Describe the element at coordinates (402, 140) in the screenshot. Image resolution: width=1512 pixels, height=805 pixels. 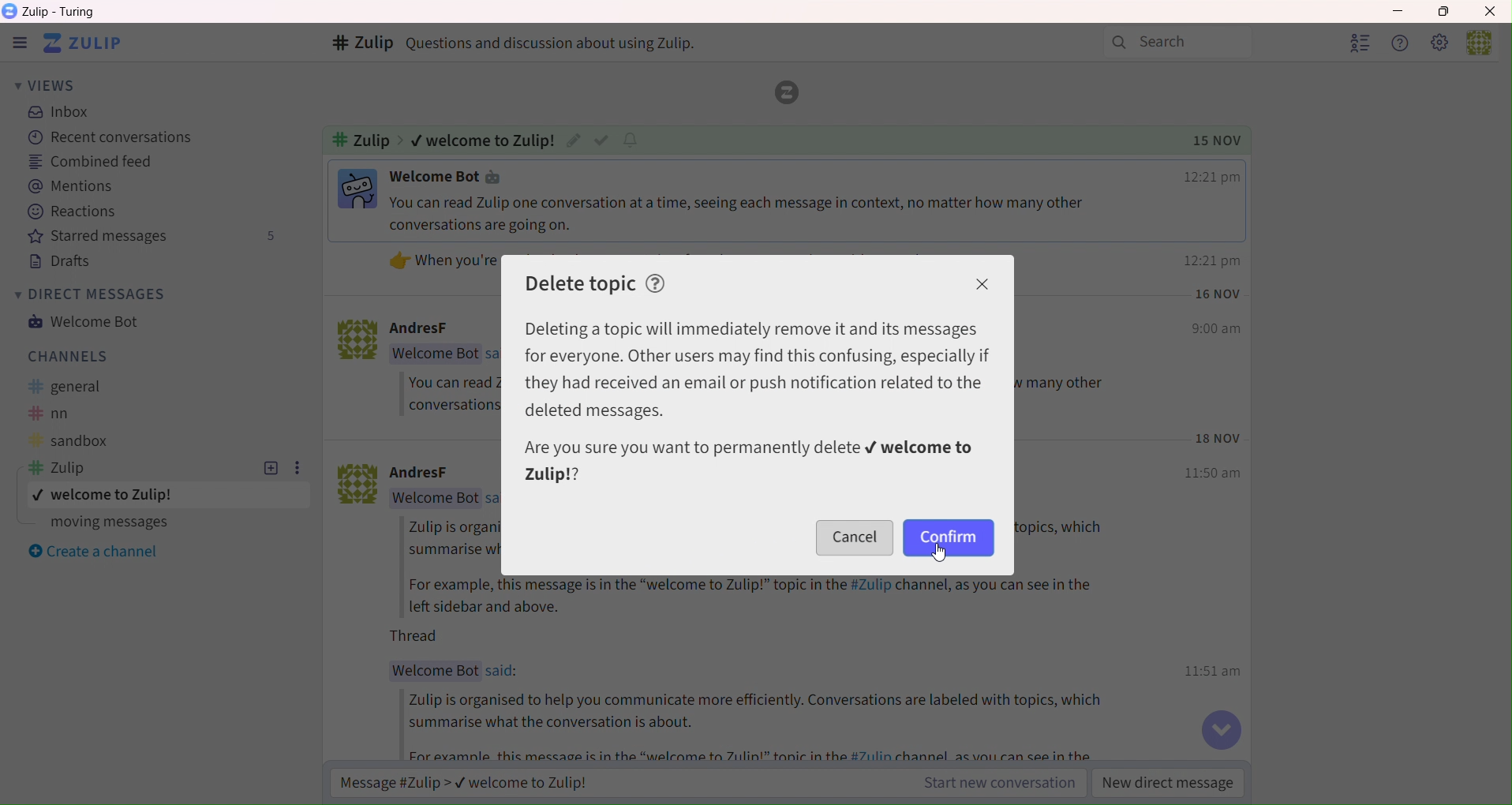
I see `Indicates pathway` at that location.